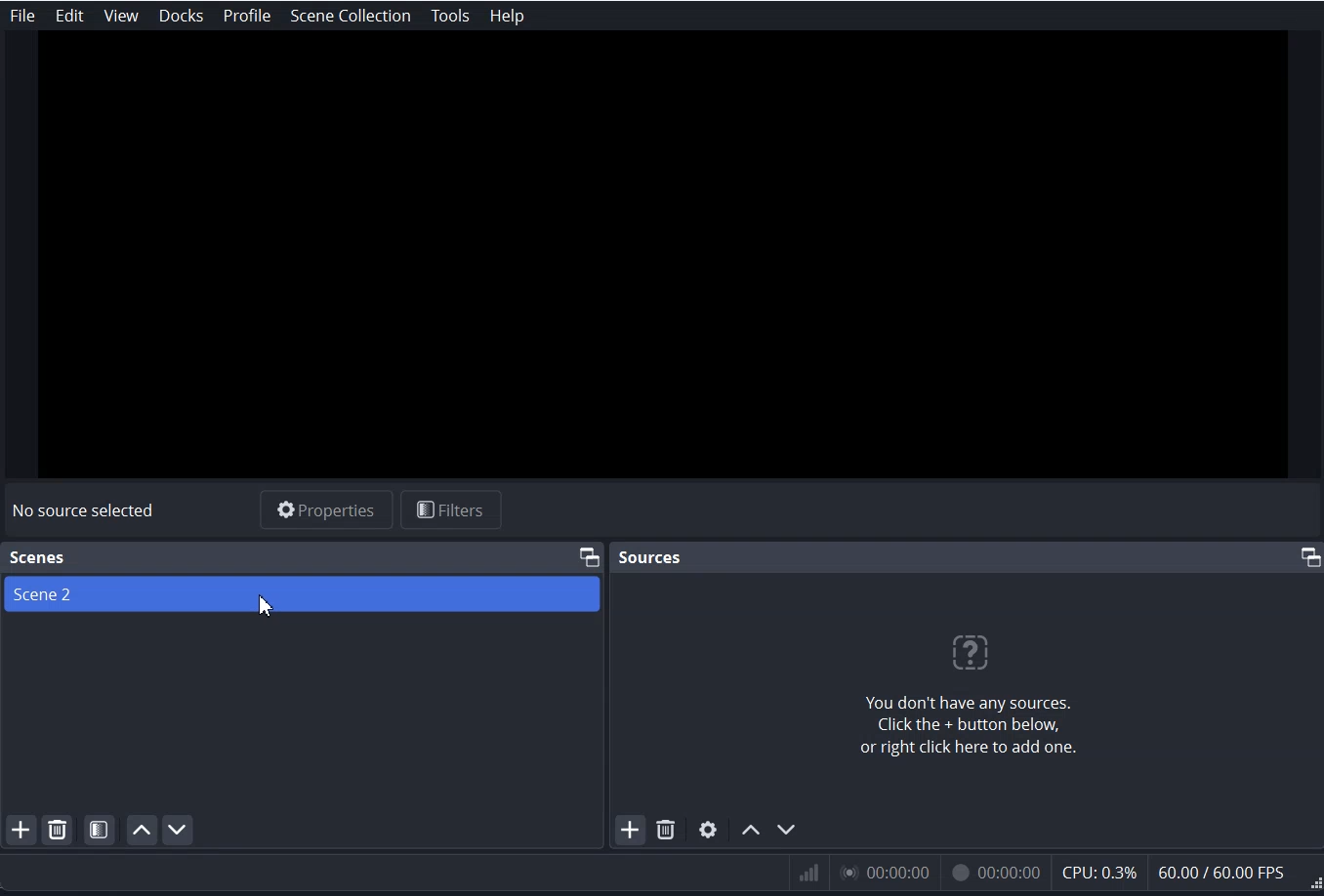  I want to click on Open Scene Filter, so click(100, 830).